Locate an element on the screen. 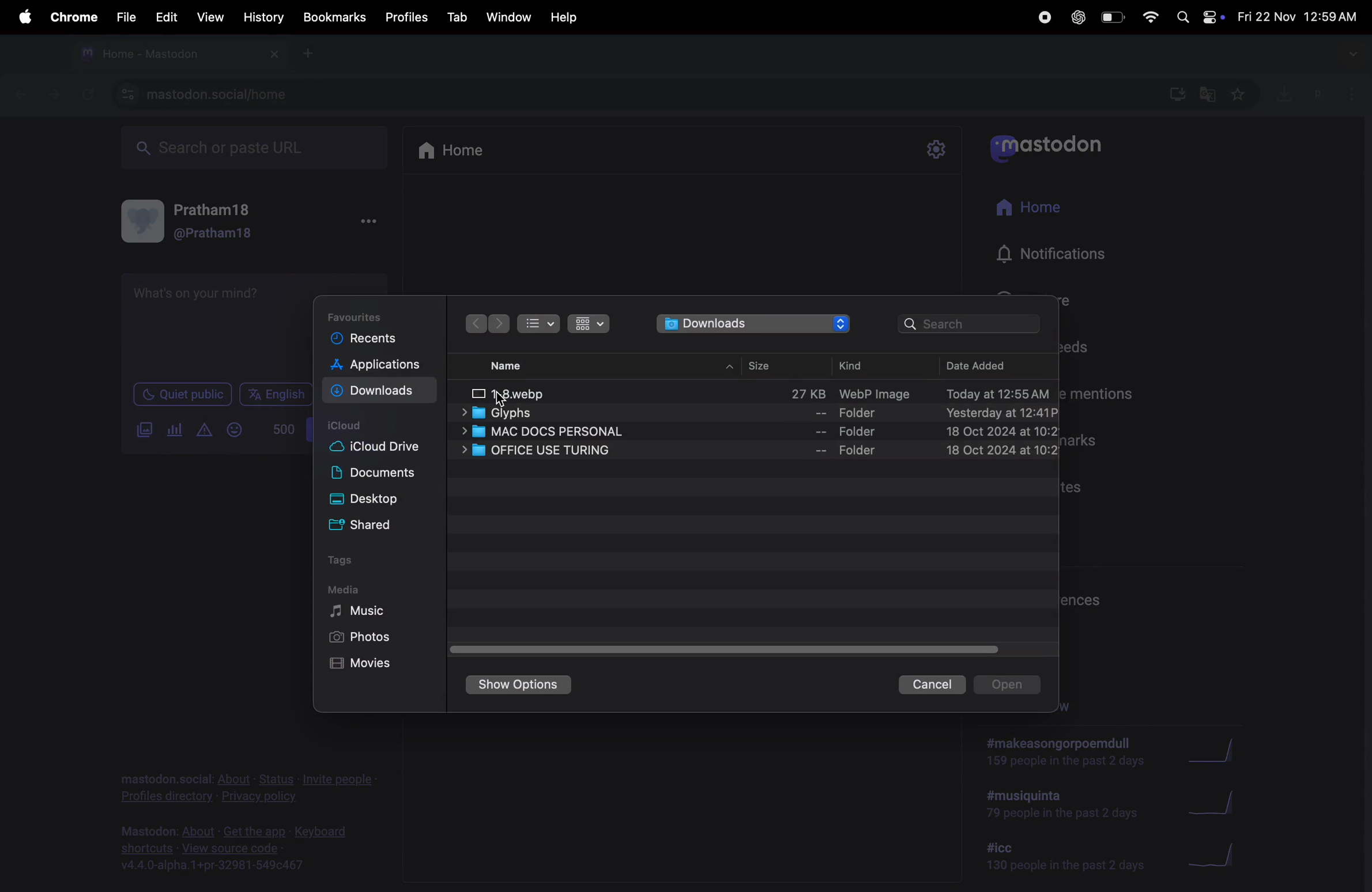 Image resolution: width=1372 pixels, height=892 pixels. privacy and policy is located at coordinates (258, 797).